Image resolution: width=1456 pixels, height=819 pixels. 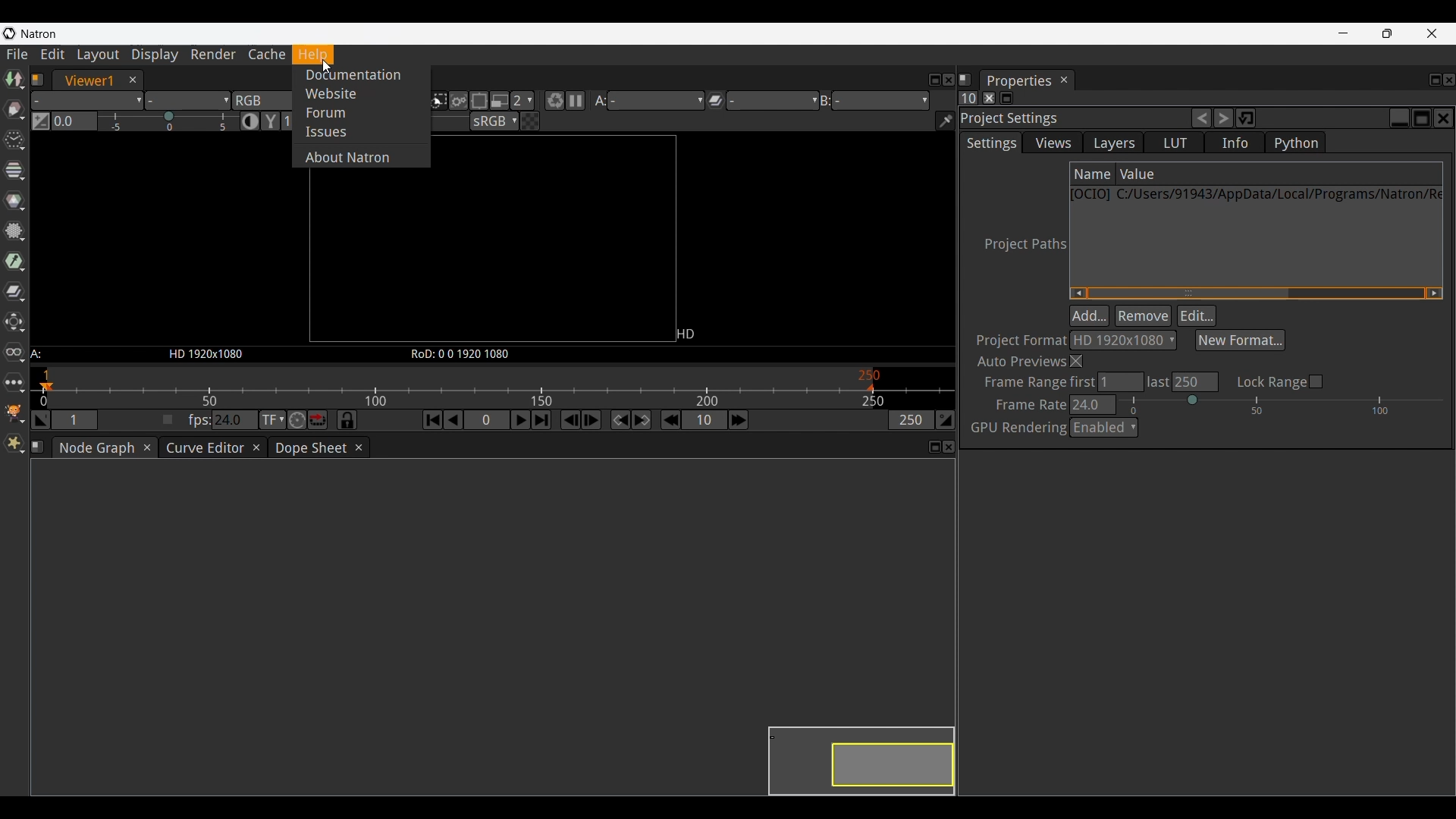 I want to click on Loop/Bounce/Stop, so click(x=318, y=419).